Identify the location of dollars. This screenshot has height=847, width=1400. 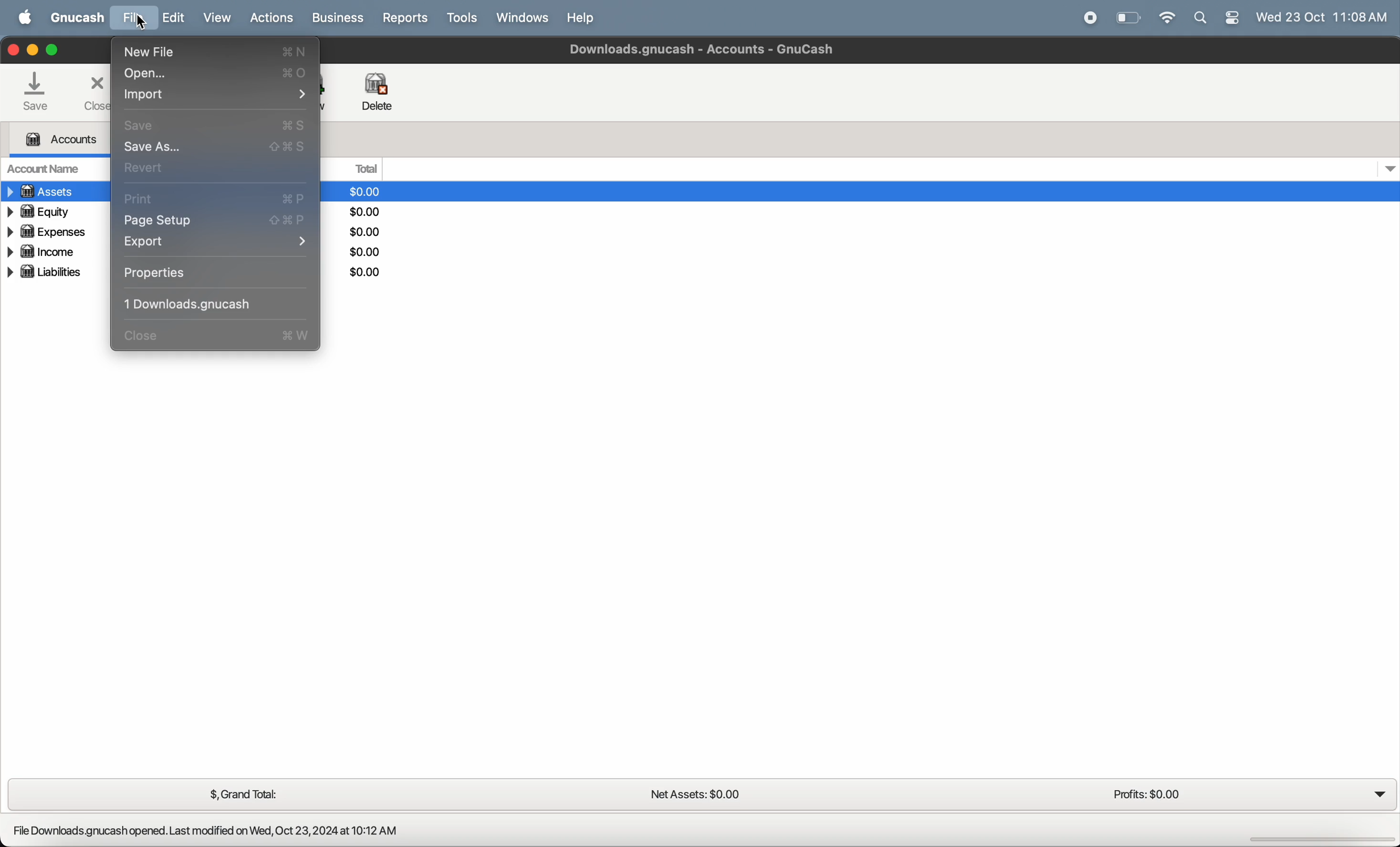
(364, 213).